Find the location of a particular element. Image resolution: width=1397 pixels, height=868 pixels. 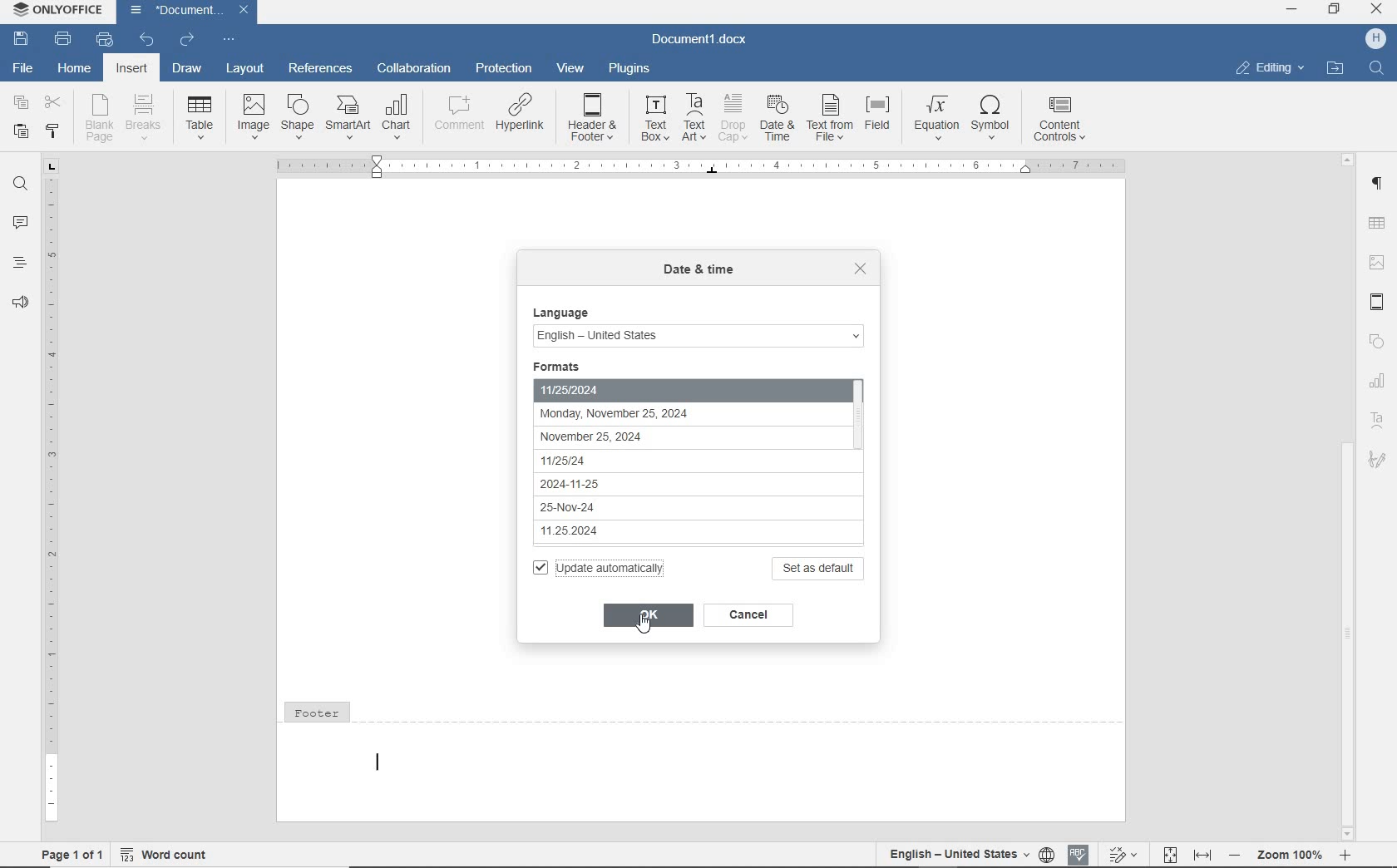

collaboration is located at coordinates (412, 70).